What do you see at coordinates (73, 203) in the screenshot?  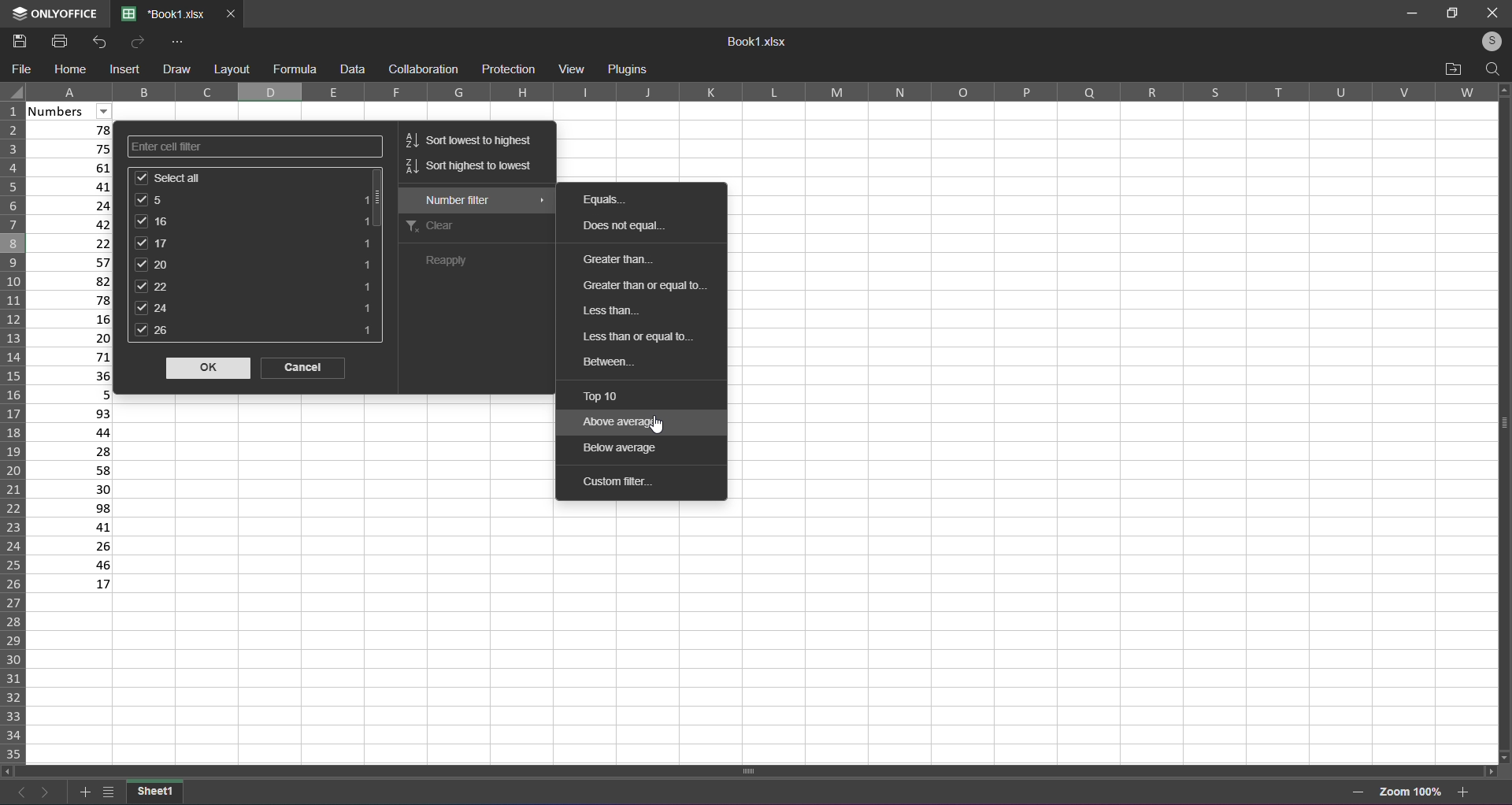 I see `24` at bounding box center [73, 203].